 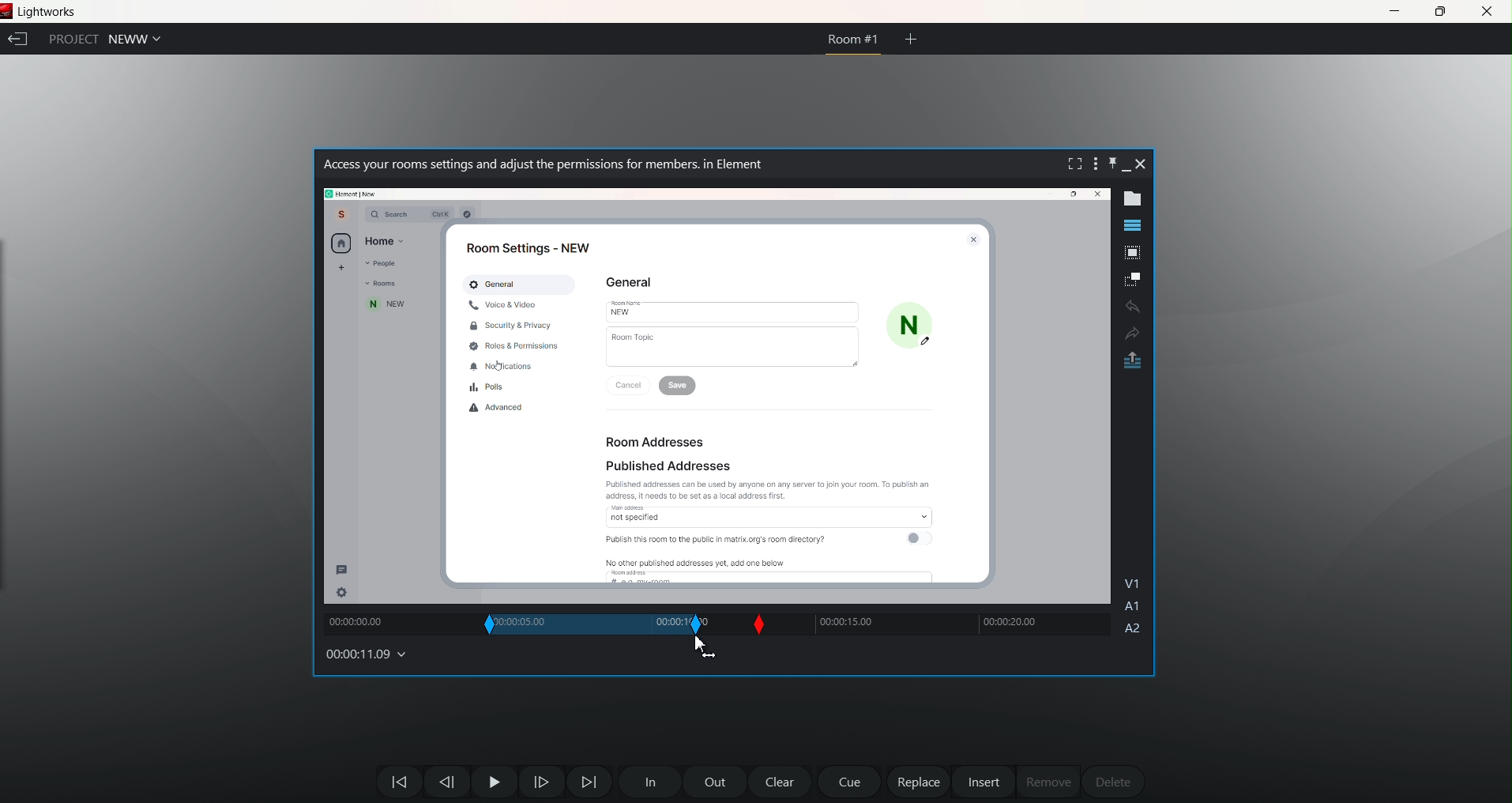 What do you see at coordinates (1395, 10) in the screenshot?
I see `minimize` at bounding box center [1395, 10].